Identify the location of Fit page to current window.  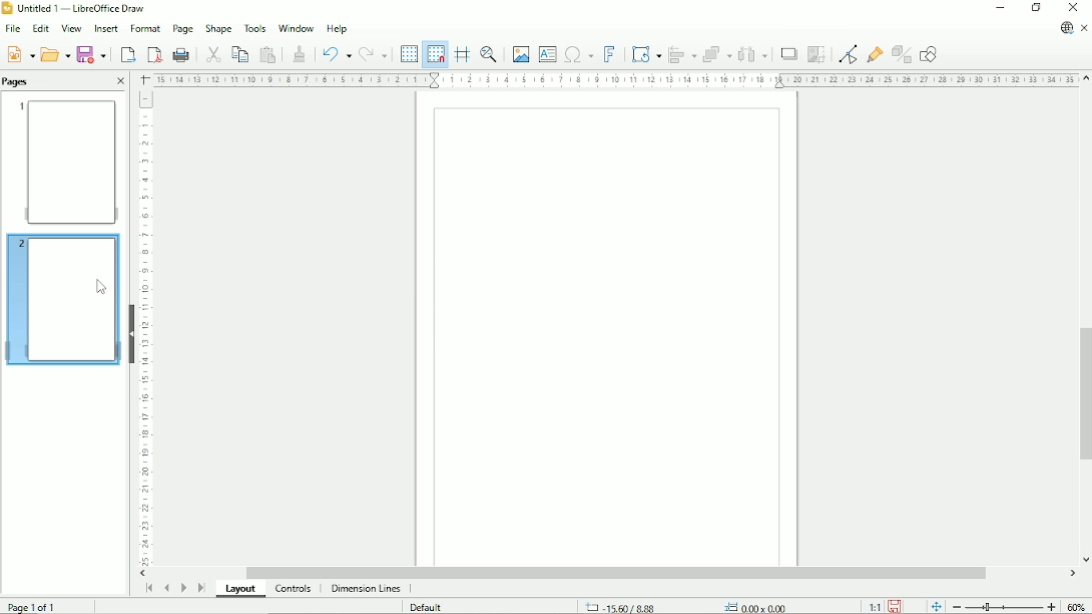
(935, 605).